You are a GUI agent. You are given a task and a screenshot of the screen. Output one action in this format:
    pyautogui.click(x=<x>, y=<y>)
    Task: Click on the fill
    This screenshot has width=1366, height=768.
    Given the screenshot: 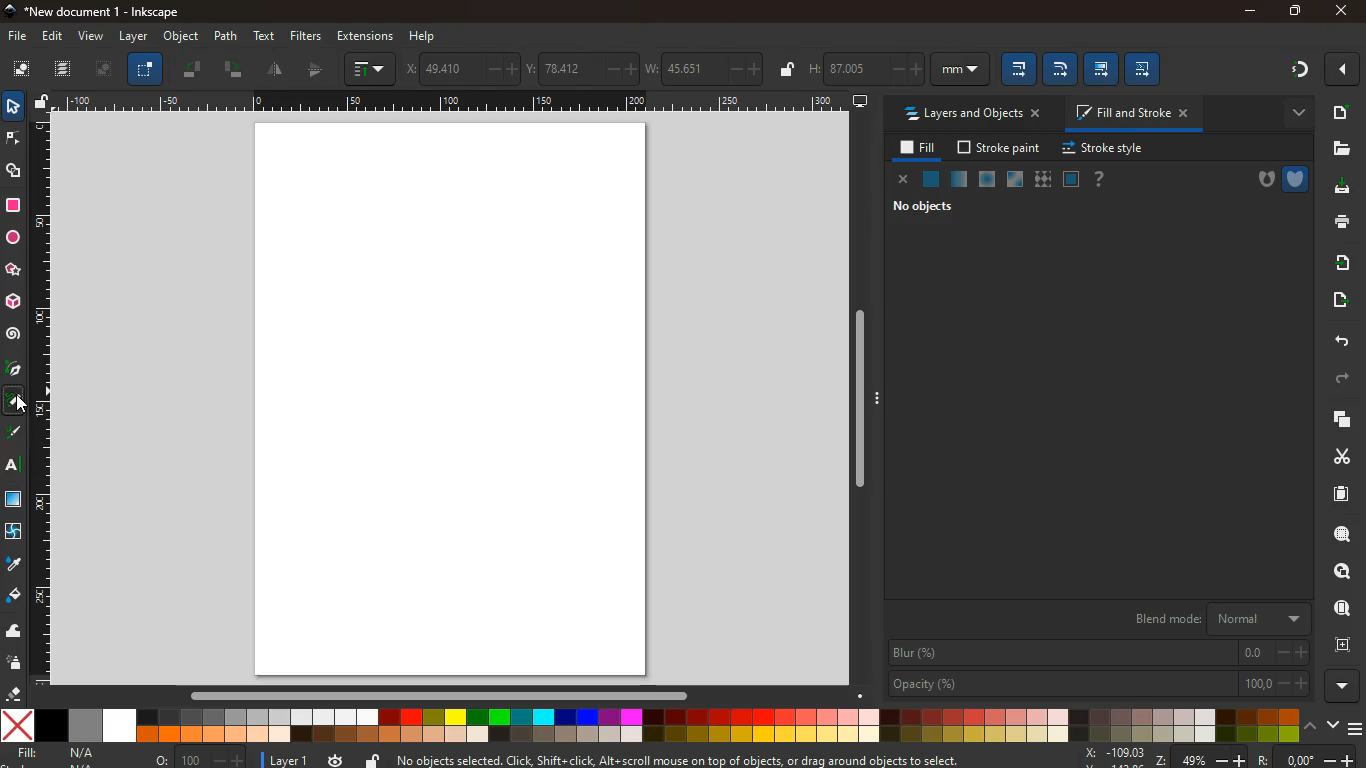 What is the action you would take?
    pyautogui.click(x=919, y=149)
    